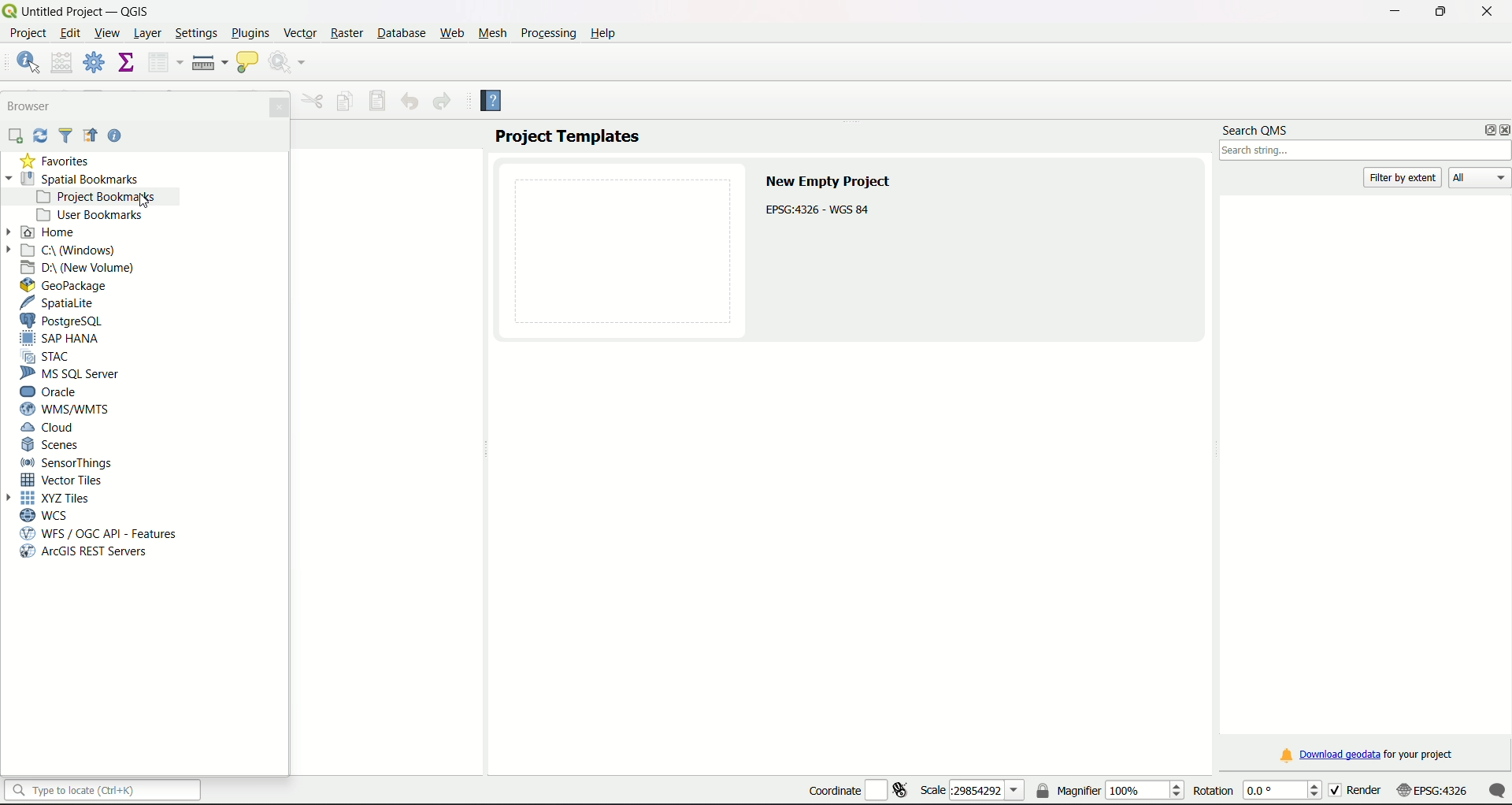 The height and width of the screenshot is (805, 1512). What do you see at coordinates (832, 198) in the screenshot?
I see `text` at bounding box center [832, 198].